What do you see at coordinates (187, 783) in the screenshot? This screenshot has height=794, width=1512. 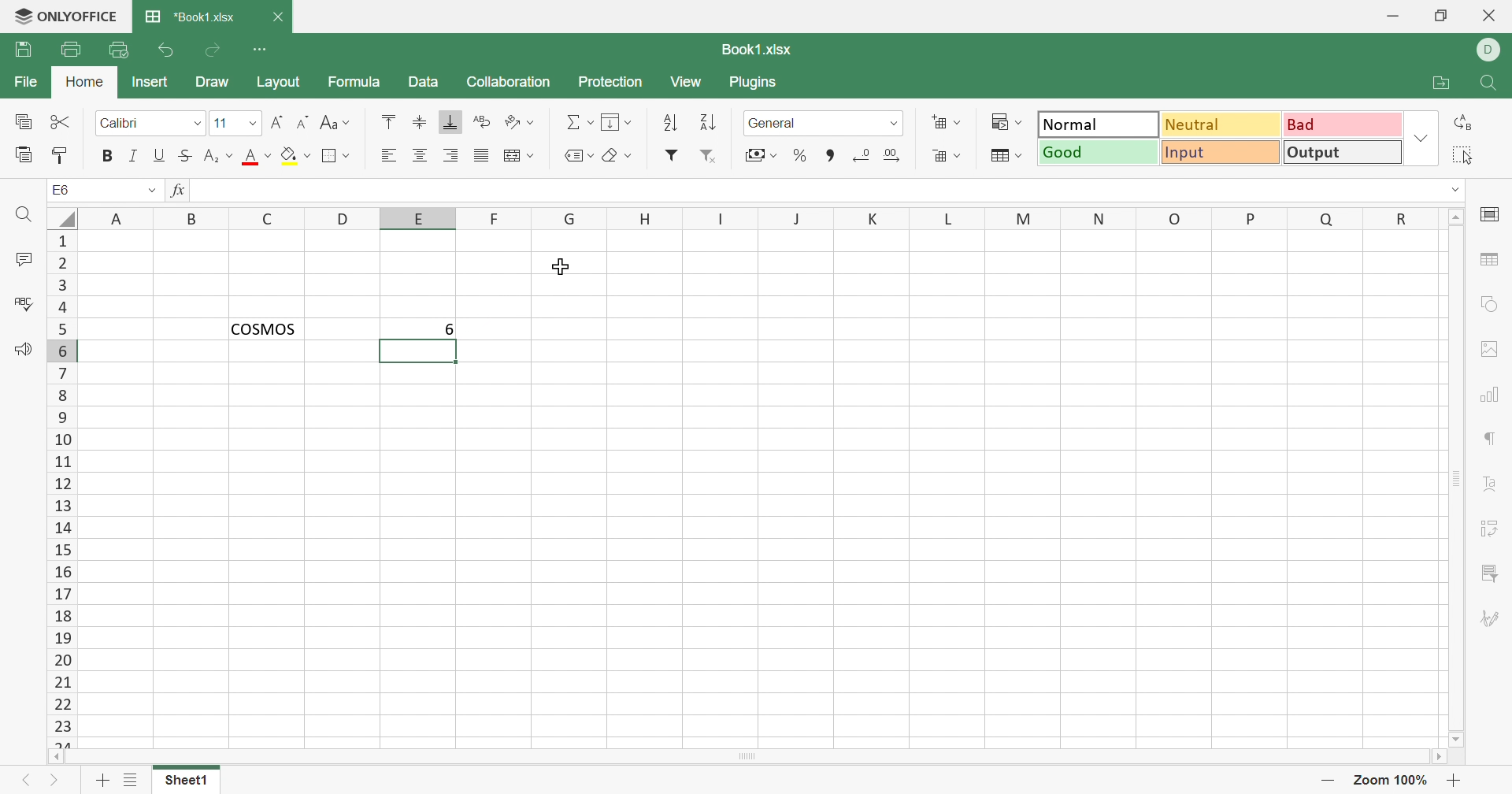 I see `Sheet1` at bounding box center [187, 783].